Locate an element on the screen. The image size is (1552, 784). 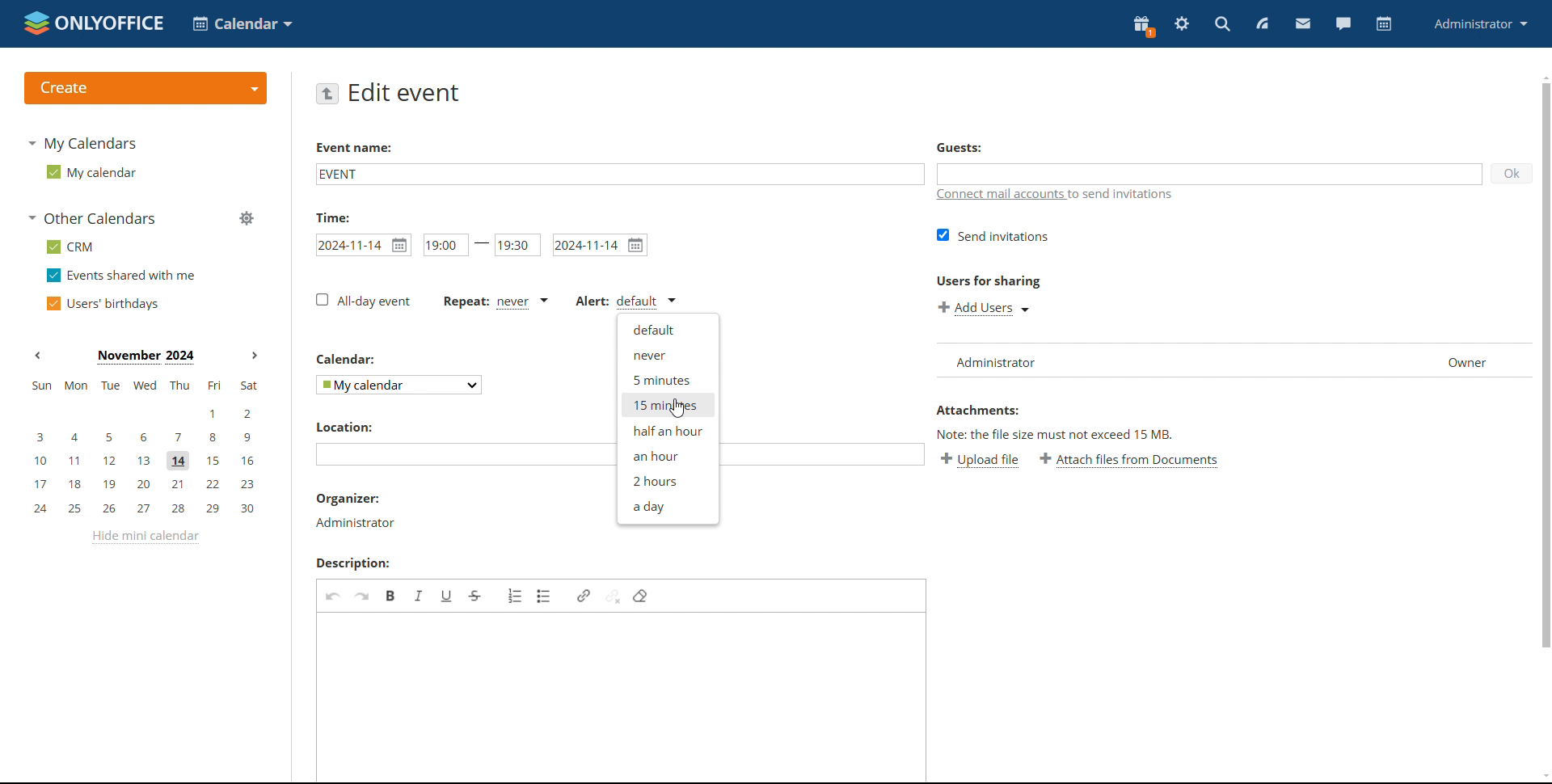
event repetition is located at coordinates (495, 301).